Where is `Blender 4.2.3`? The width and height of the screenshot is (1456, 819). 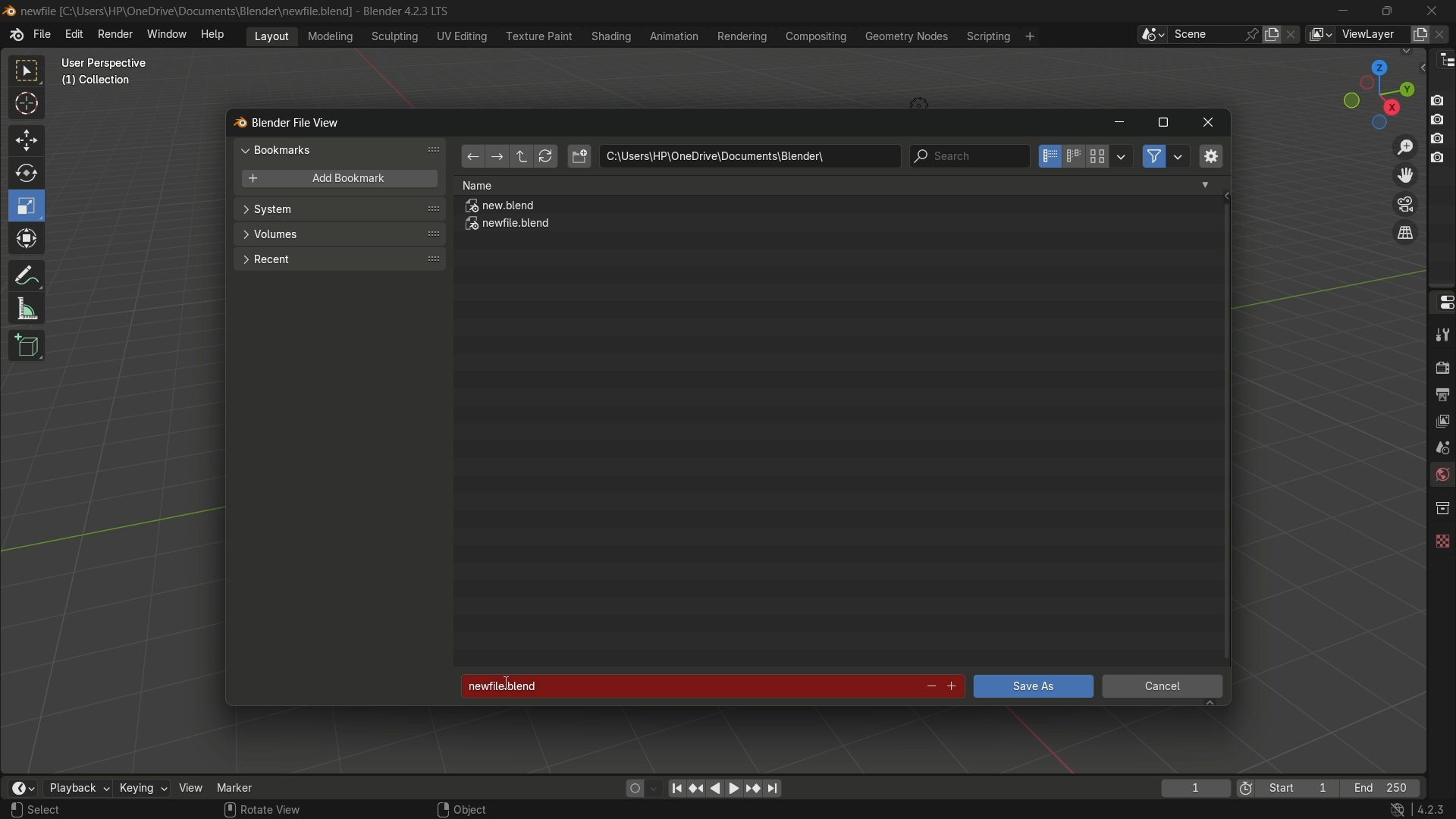
Blender 4.2.3 is located at coordinates (402, 11).